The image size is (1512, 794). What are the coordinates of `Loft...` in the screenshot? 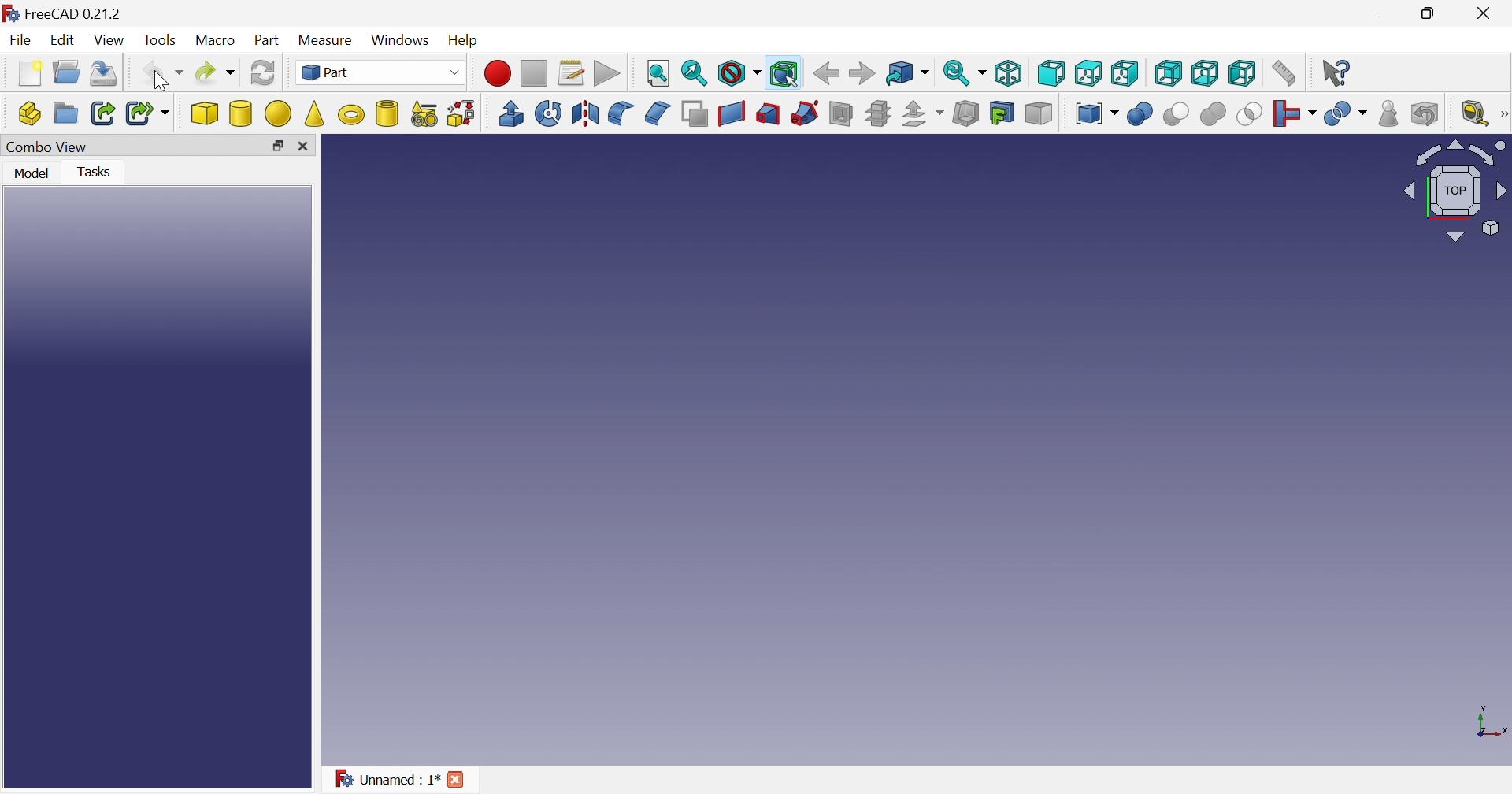 It's located at (769, 114).